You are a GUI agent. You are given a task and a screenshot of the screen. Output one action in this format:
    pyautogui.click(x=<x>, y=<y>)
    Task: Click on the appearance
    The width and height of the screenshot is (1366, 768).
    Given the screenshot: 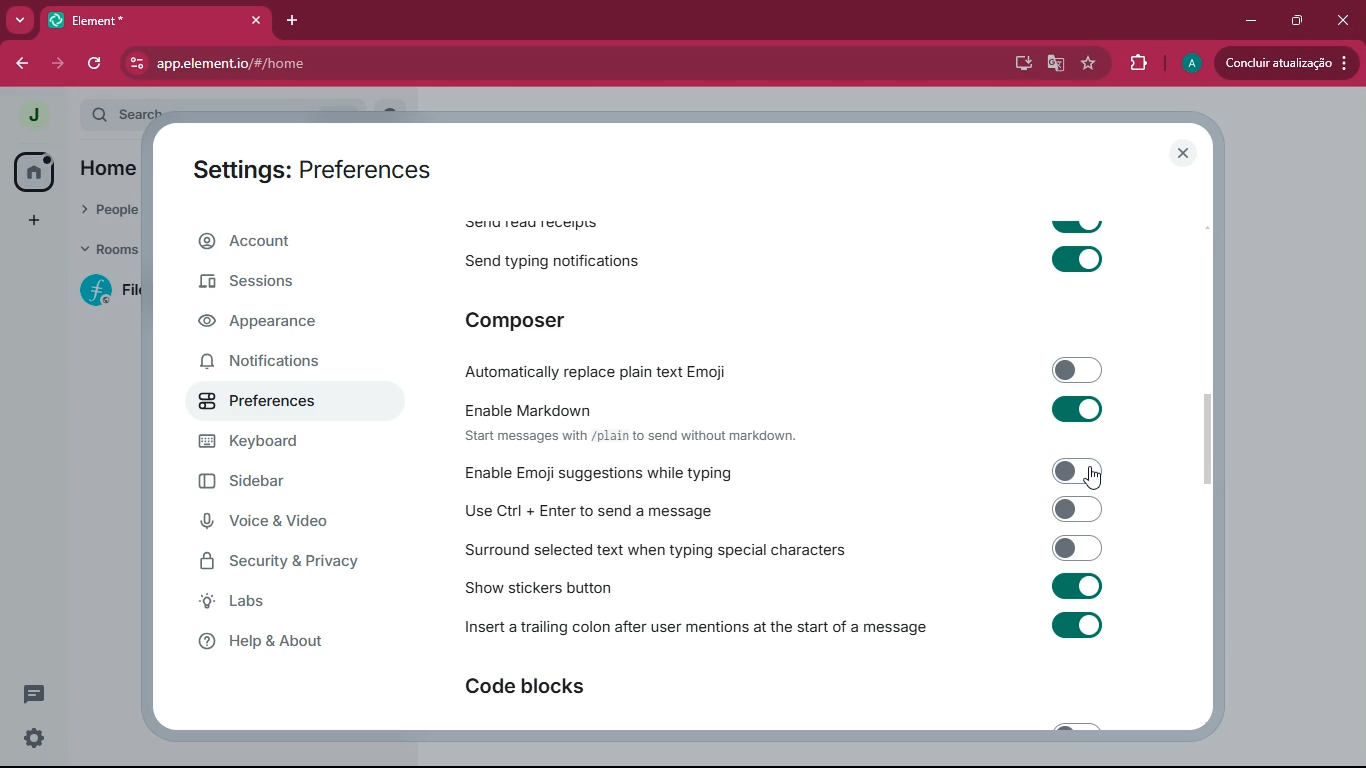 What is the action you would take?
    pyautogui.click(x=274, y=323)
    